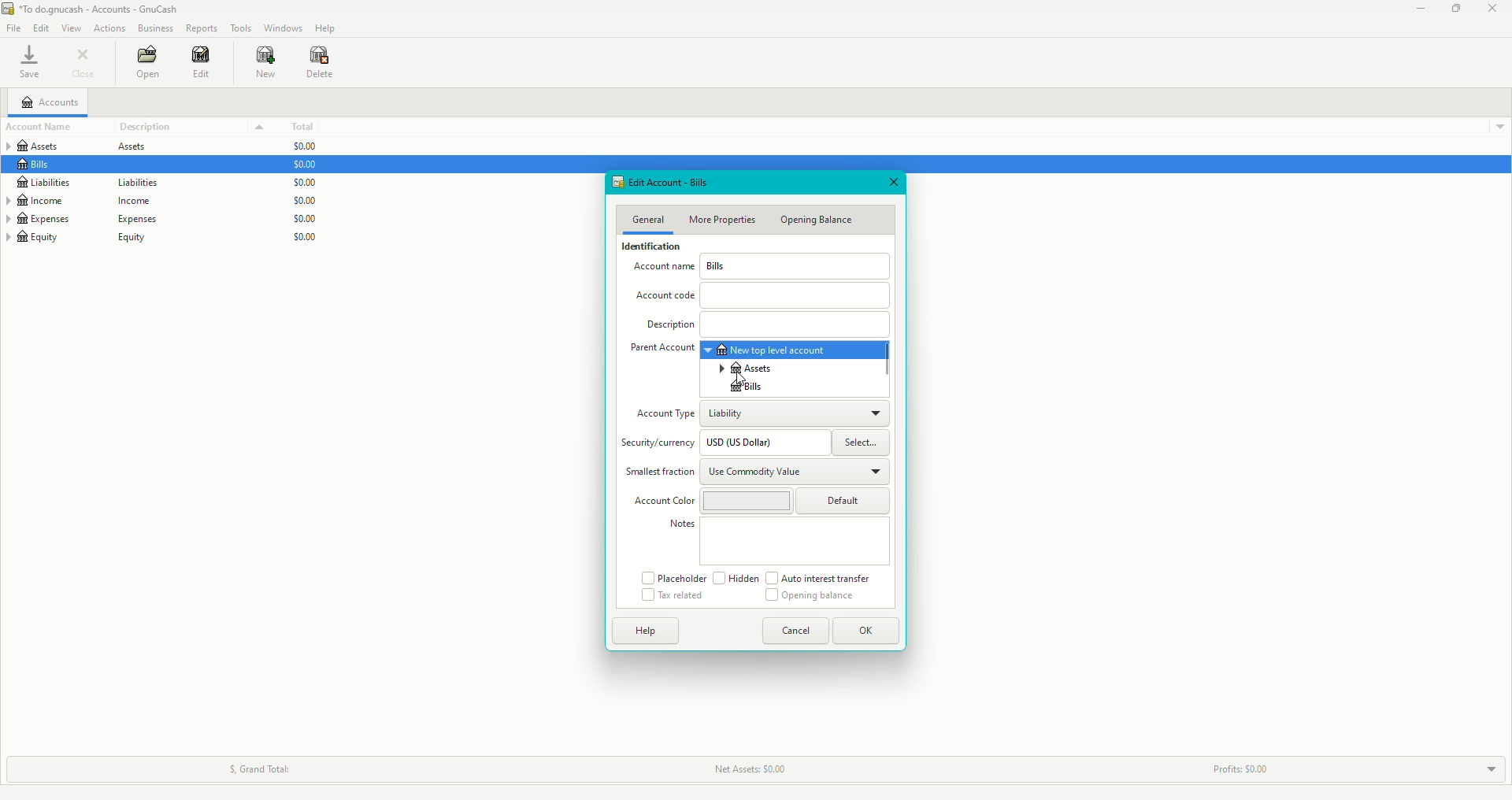 The width and height of the screenshot is (1512, 800). Describe the element at coordinates (1417, 10) in the screenshot. I see `Minimize` at that location.